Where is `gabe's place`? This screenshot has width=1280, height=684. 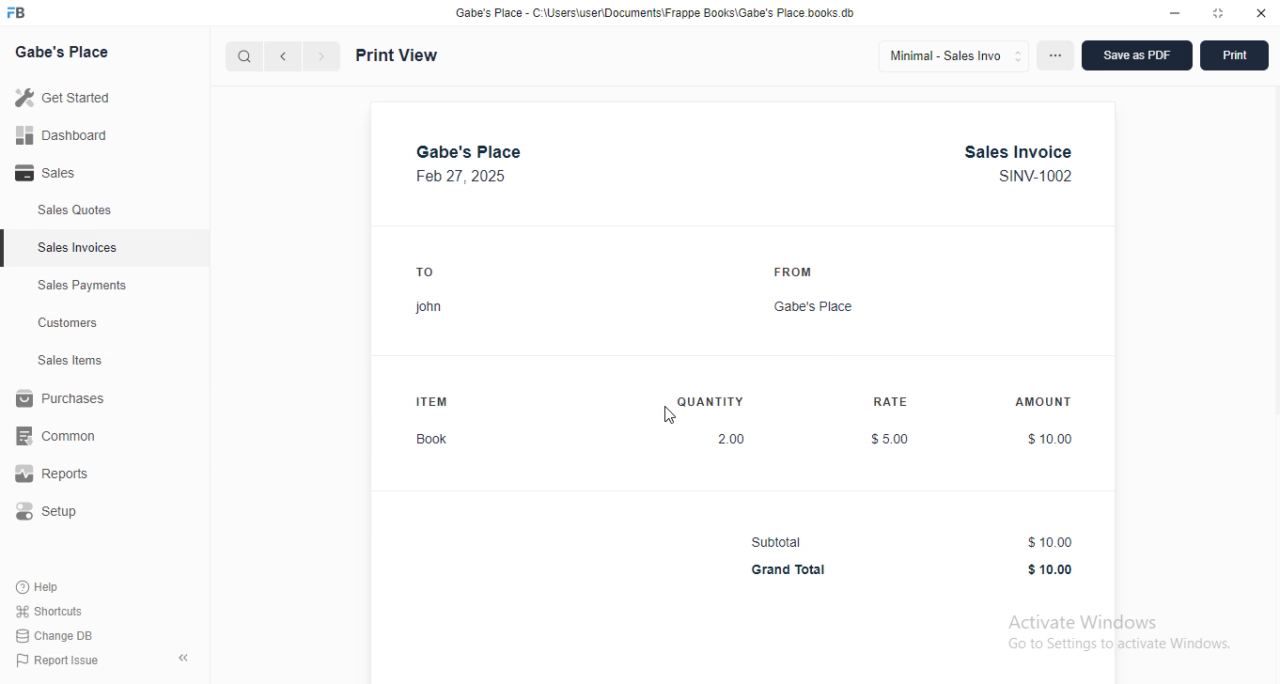
gabe's place is located at coordinates (63, 51).